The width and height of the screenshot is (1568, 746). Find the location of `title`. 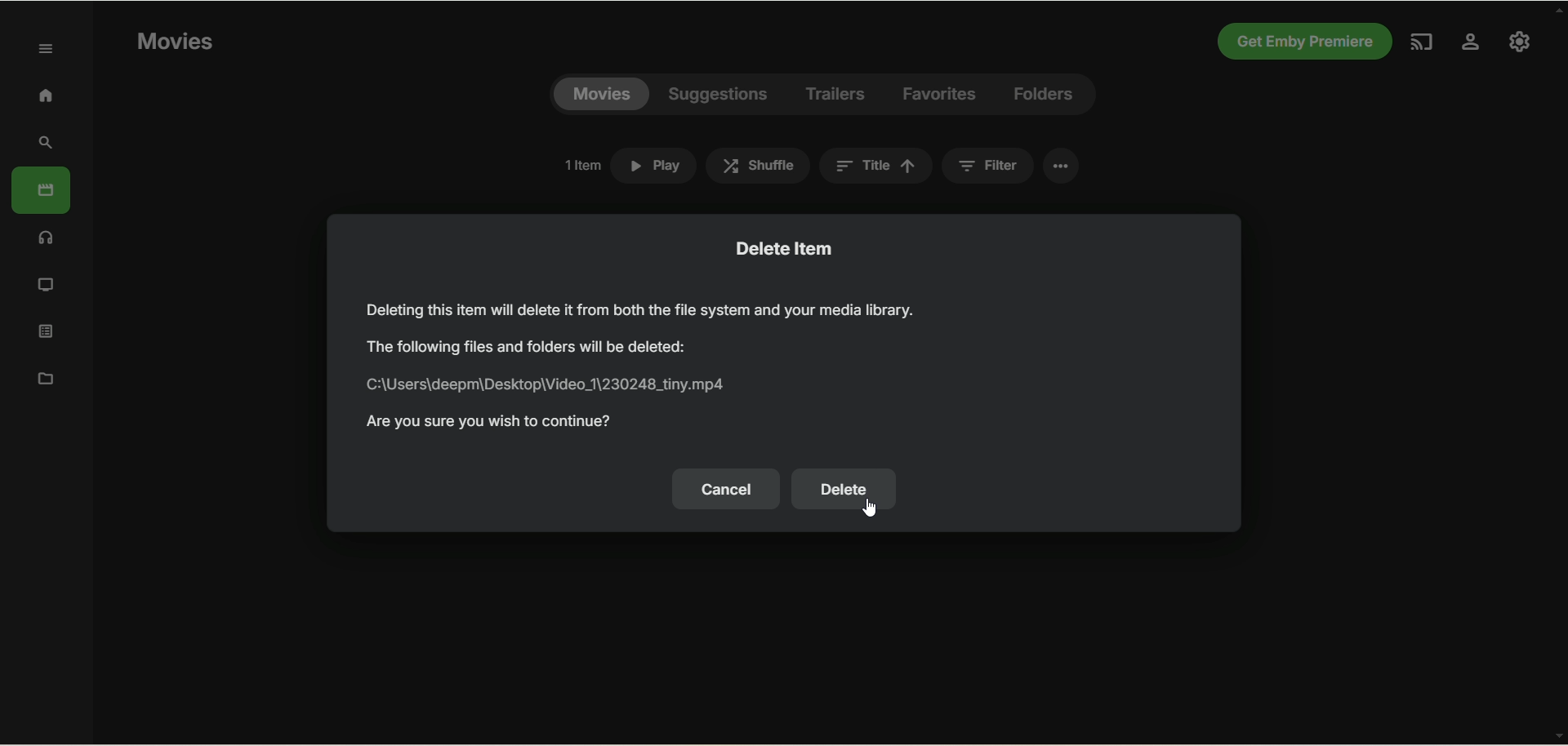

title is located at coordinates (875, 166).